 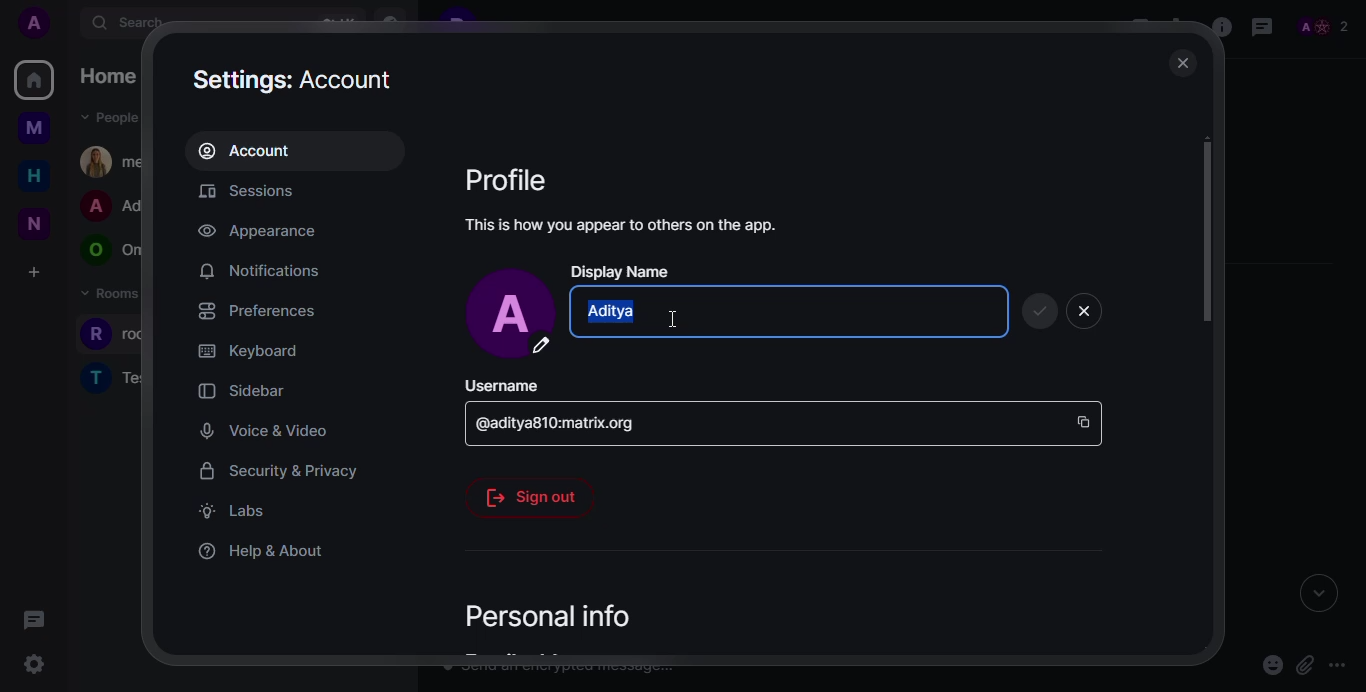 I want to click on help & about, so click(x=260, y=550).